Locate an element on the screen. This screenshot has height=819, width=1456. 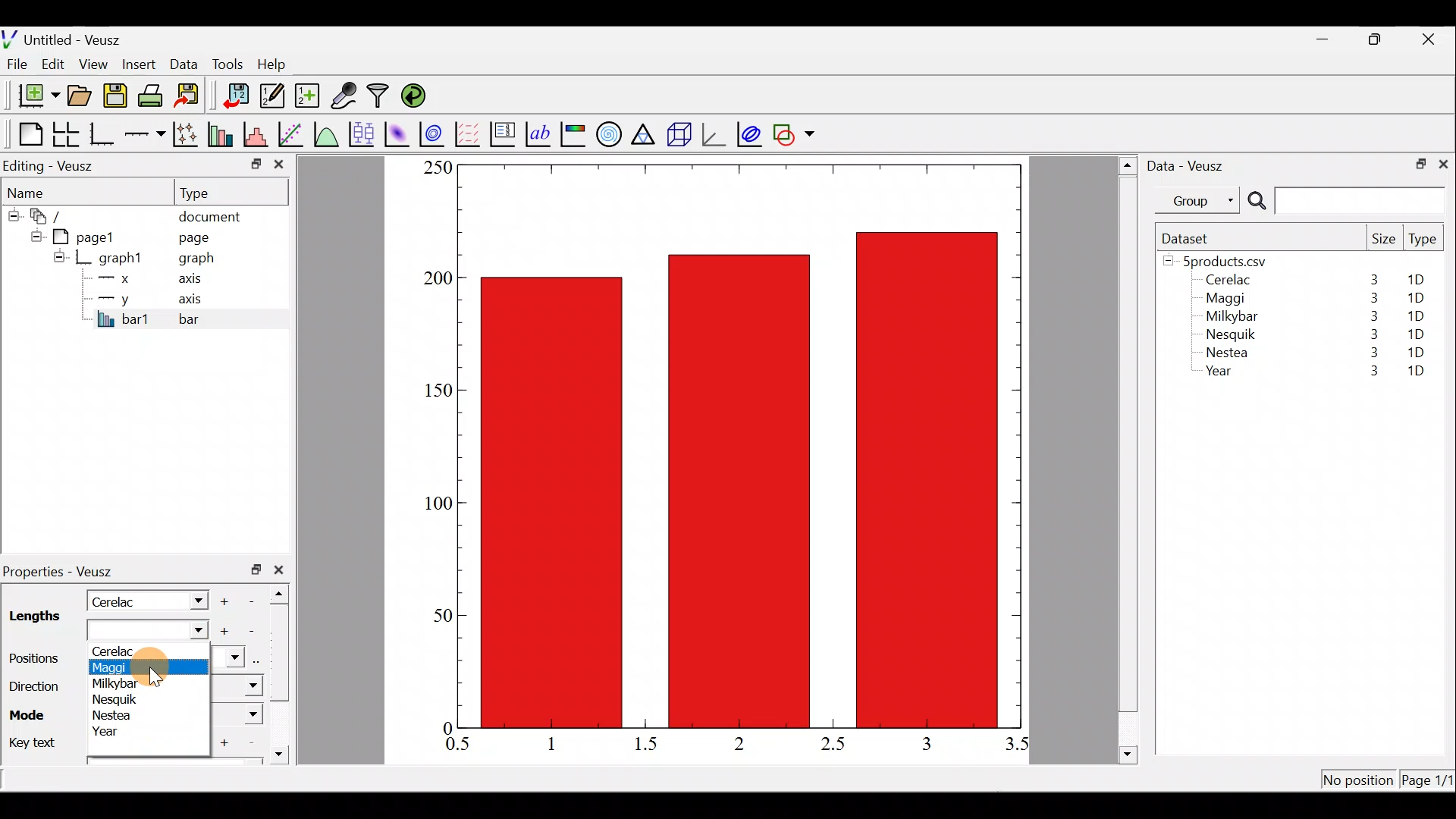
Data is located at coordinates (184, 63).